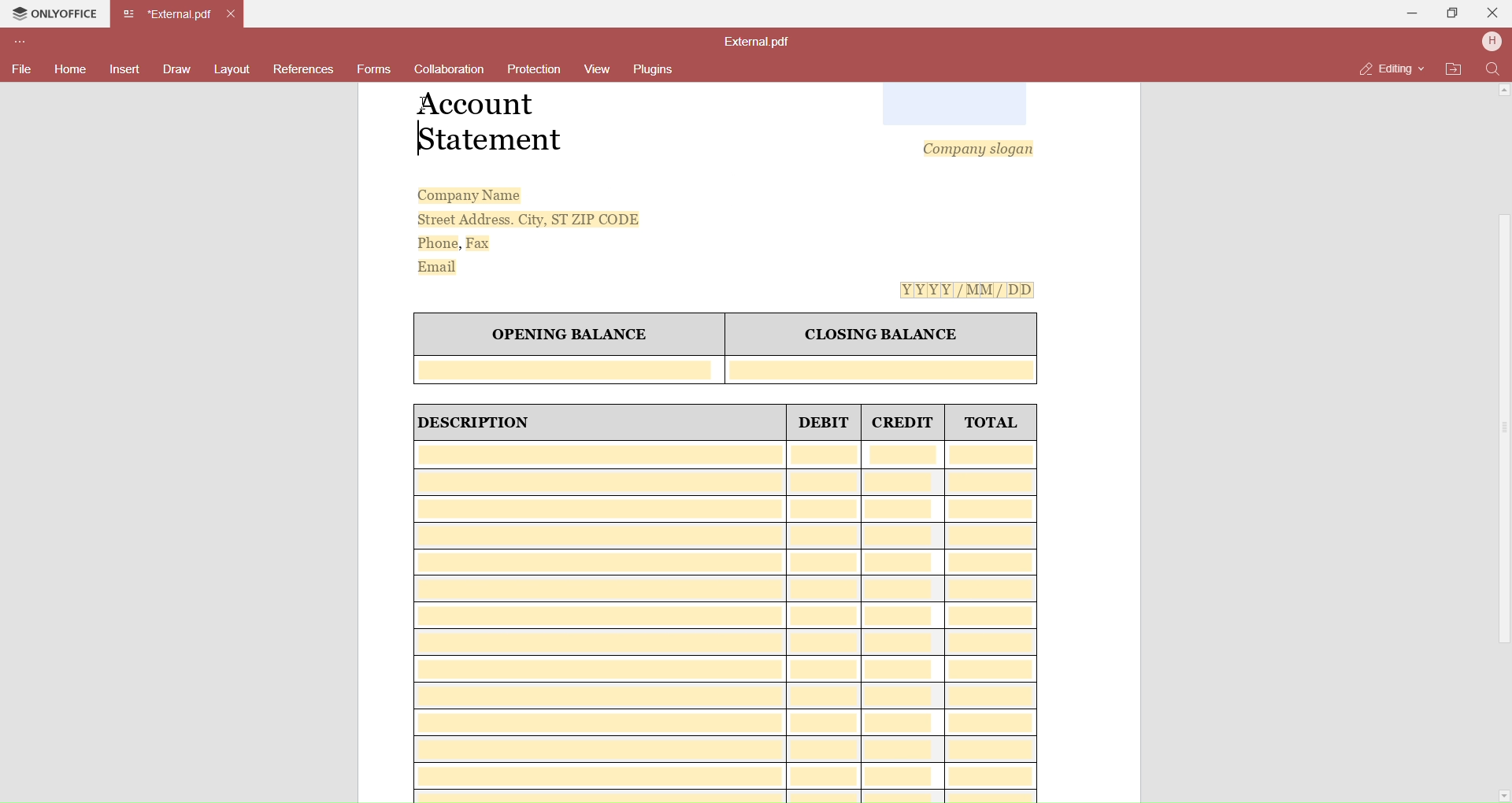 The width and height of the screenshot is (1512, 803). Describe the element at coordinates (470, 195) in the screenshot. I see `Company Name` at that location.